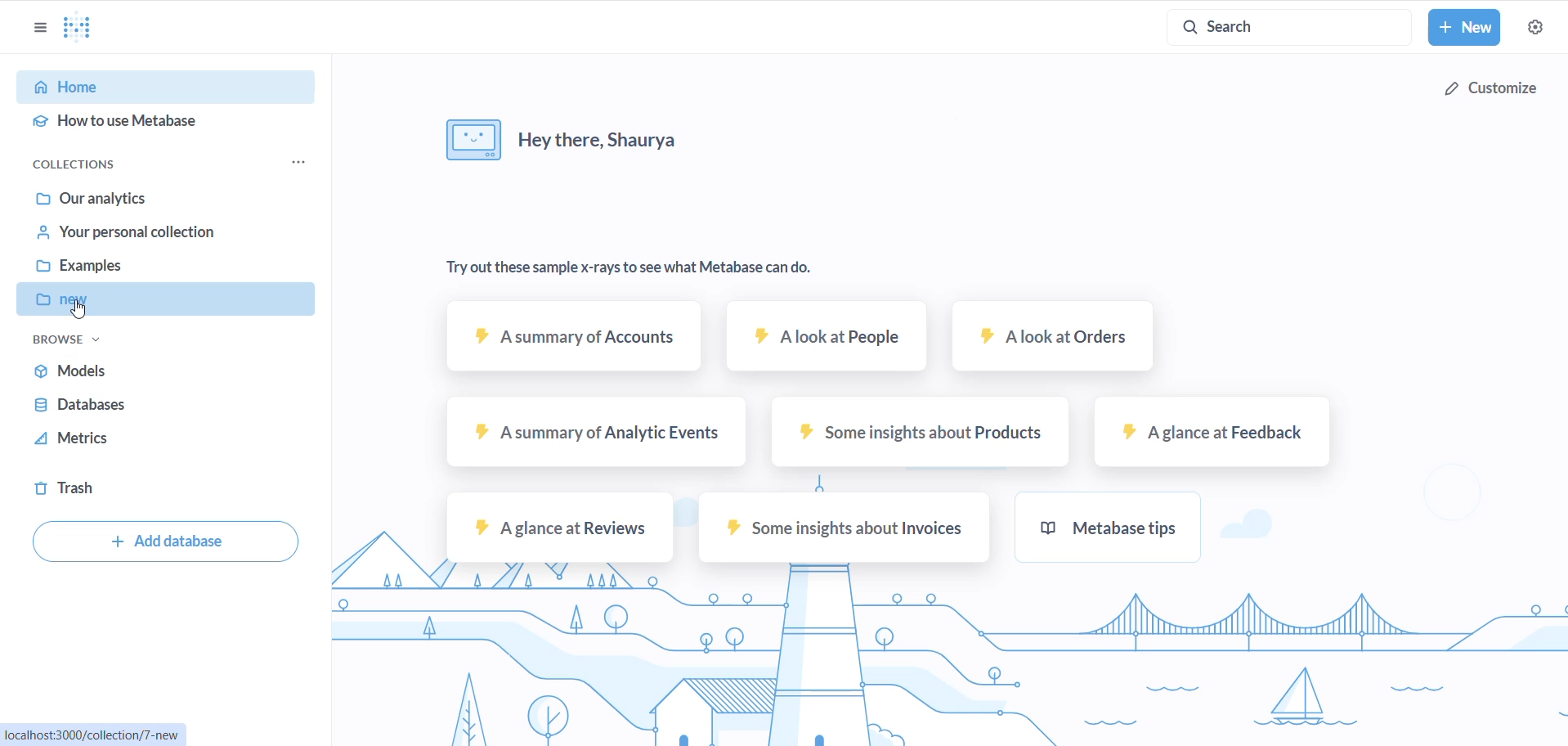 Image resolution: width=1568 pixels, height=746 pixels. What do you see at coordinates (84, 27) in the screenshot?
I see `LOGO` at bounding box center [84, 27].